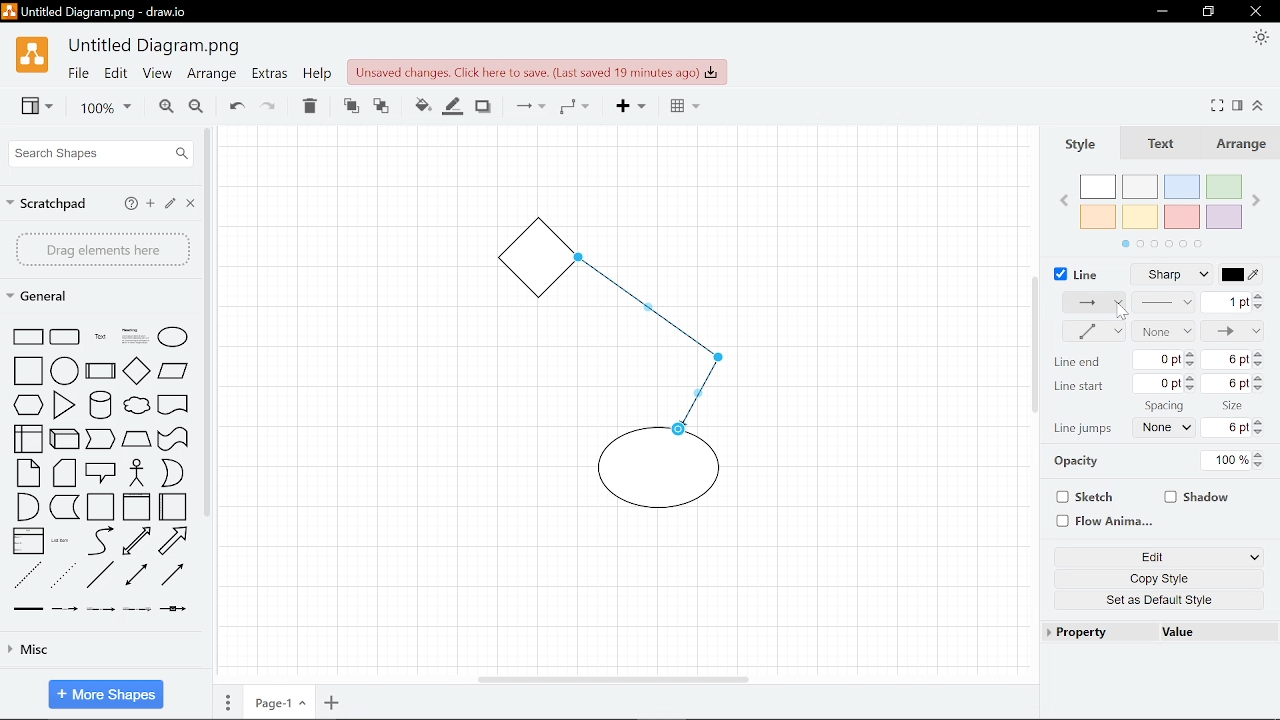 Image resolution: width=1280 pixels, height=720 pixels. Describe the element at coordinates (1248, 274) in the screenshot. I see `Line color` at that location.